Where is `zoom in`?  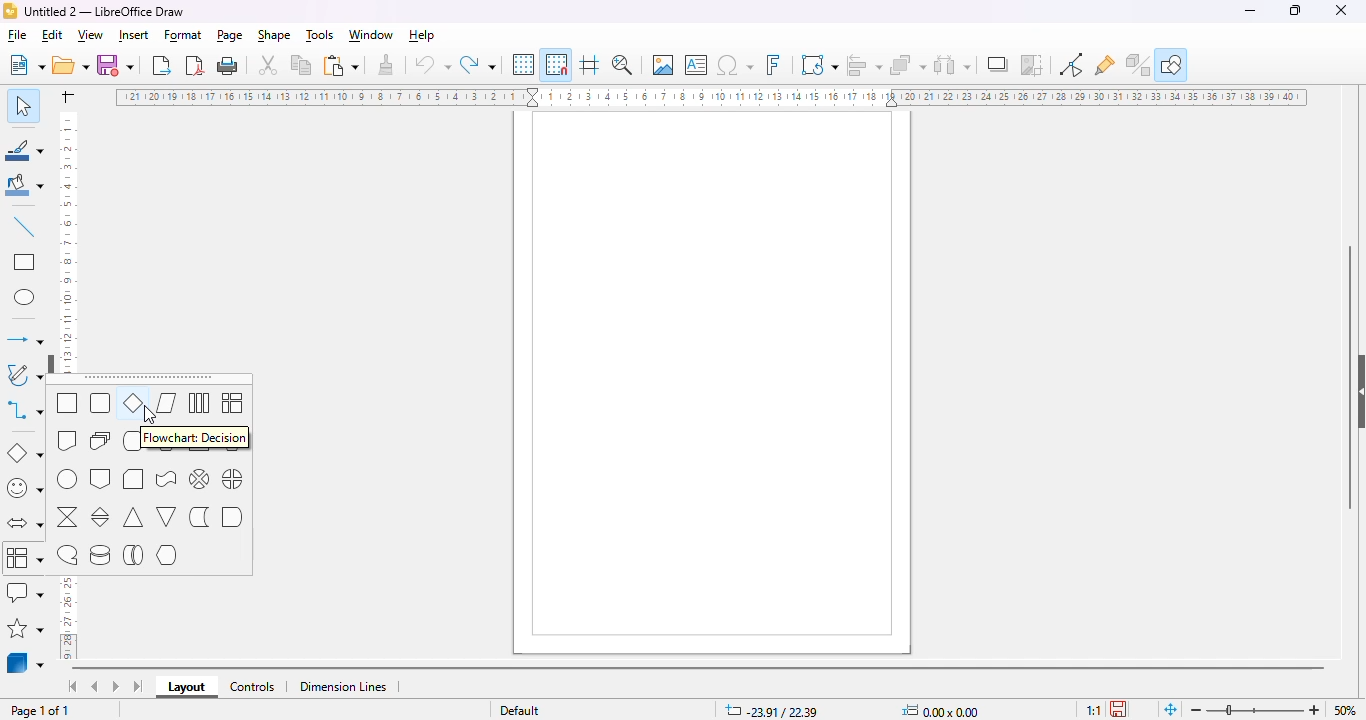
zoom in is located at coordinates (1314, 709).